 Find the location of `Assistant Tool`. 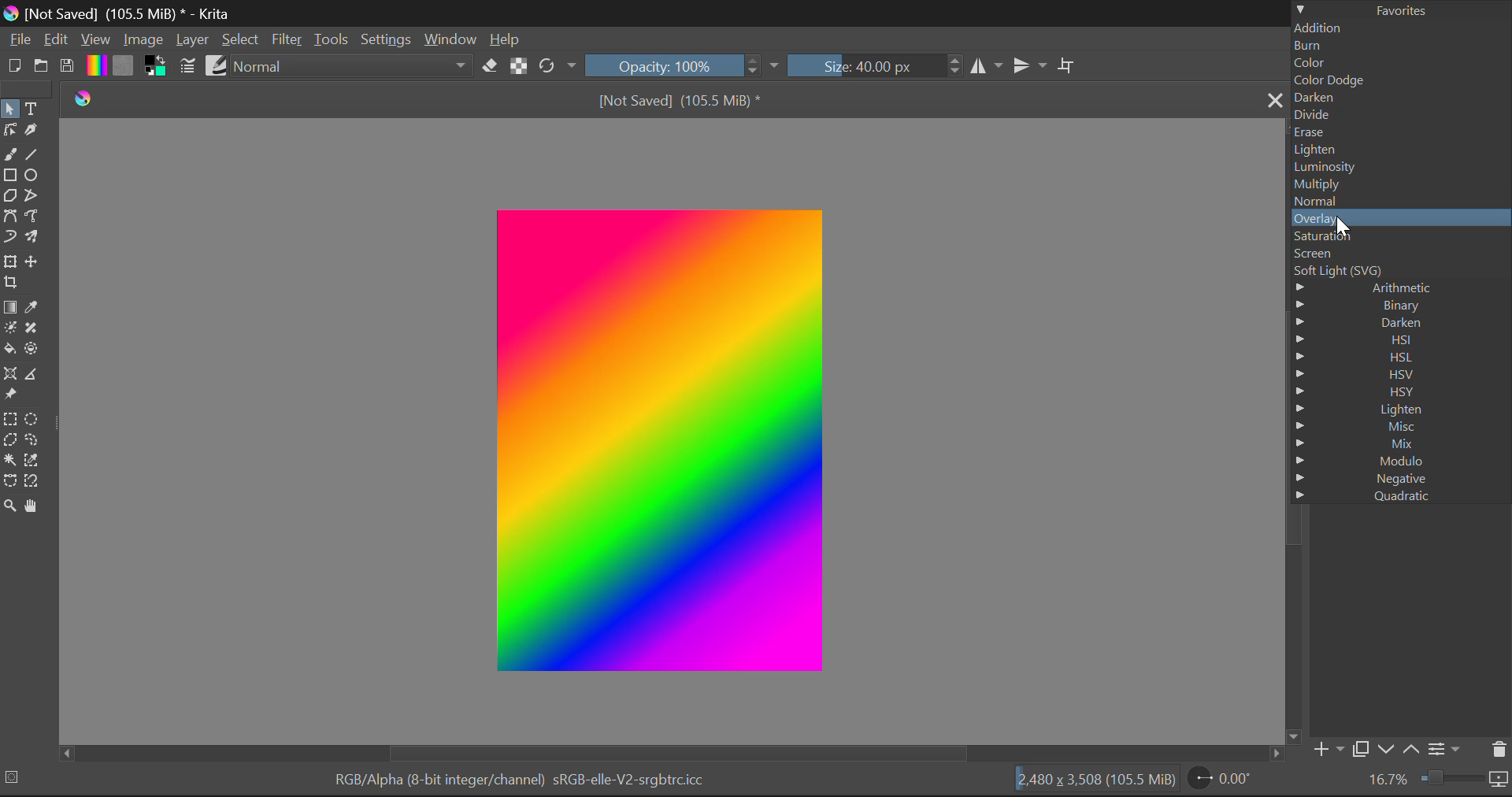

Assistant Tool is located at coordinates (13, 374).